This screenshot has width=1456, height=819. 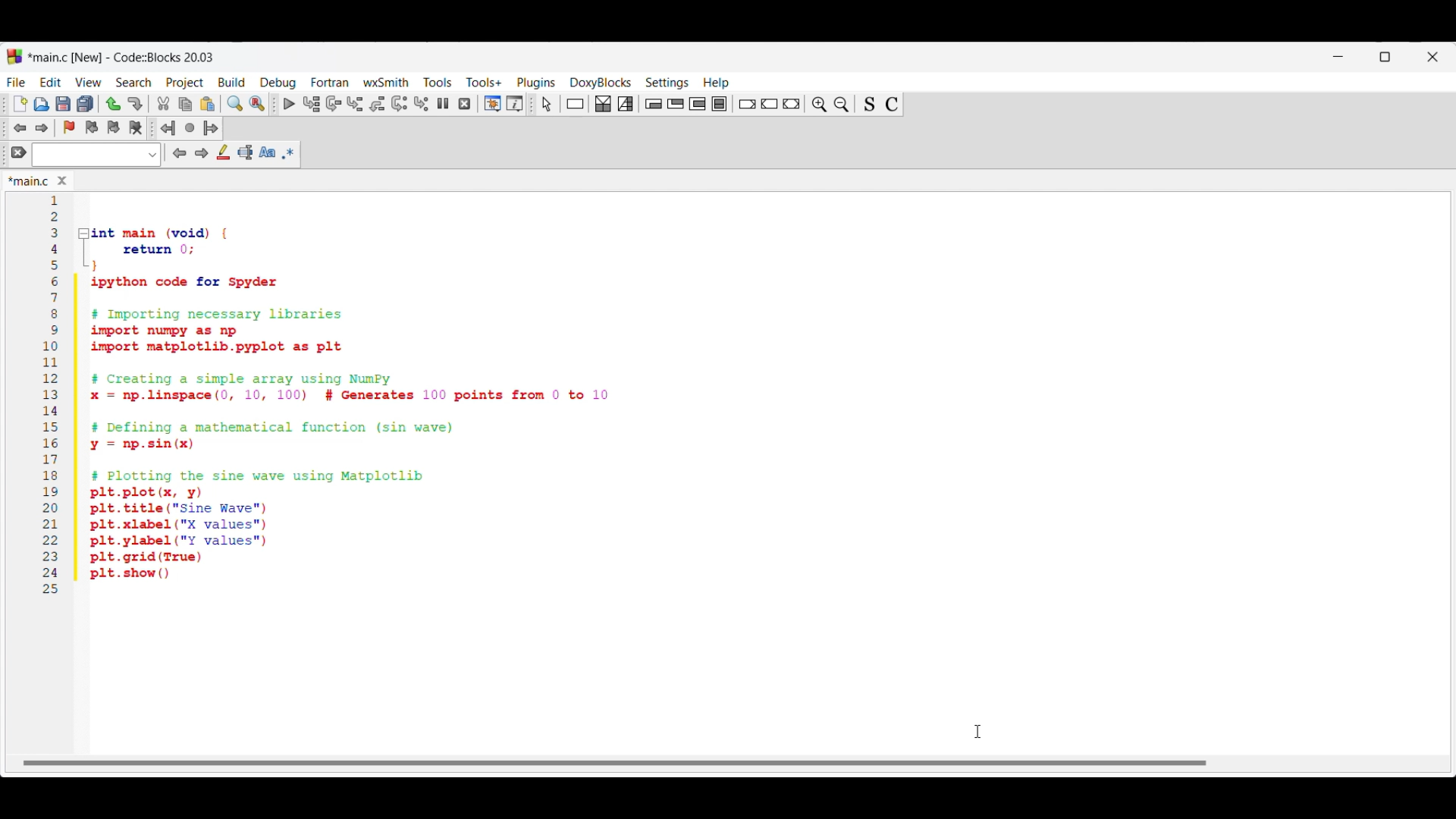 What do you see at coordinates (290, 104) in the screenshot?
I see `Debug/Continue` at bounding box center [290, 104].